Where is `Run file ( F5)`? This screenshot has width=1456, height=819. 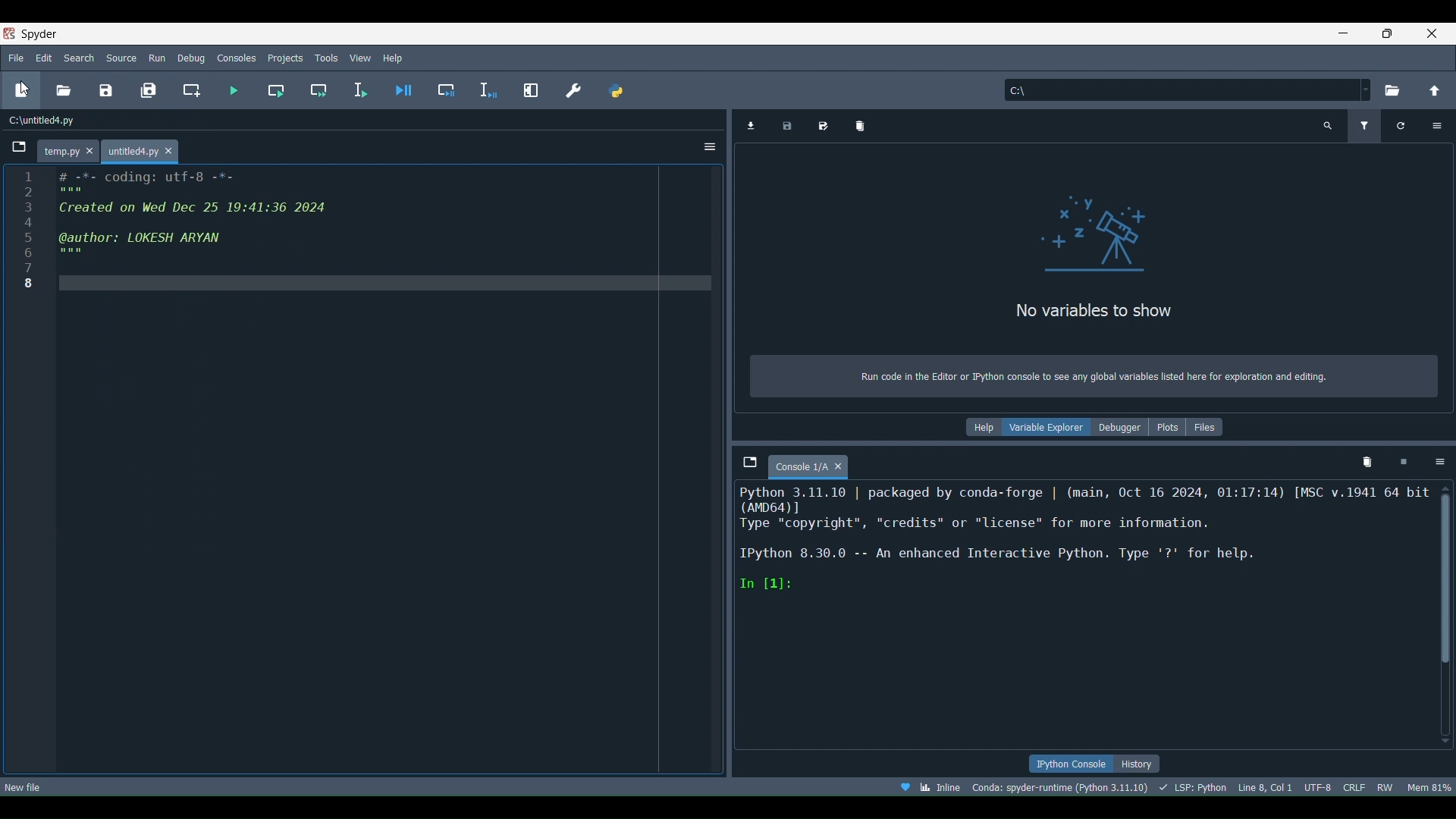
Run file ( F5) is located at coordinates (231, 91).